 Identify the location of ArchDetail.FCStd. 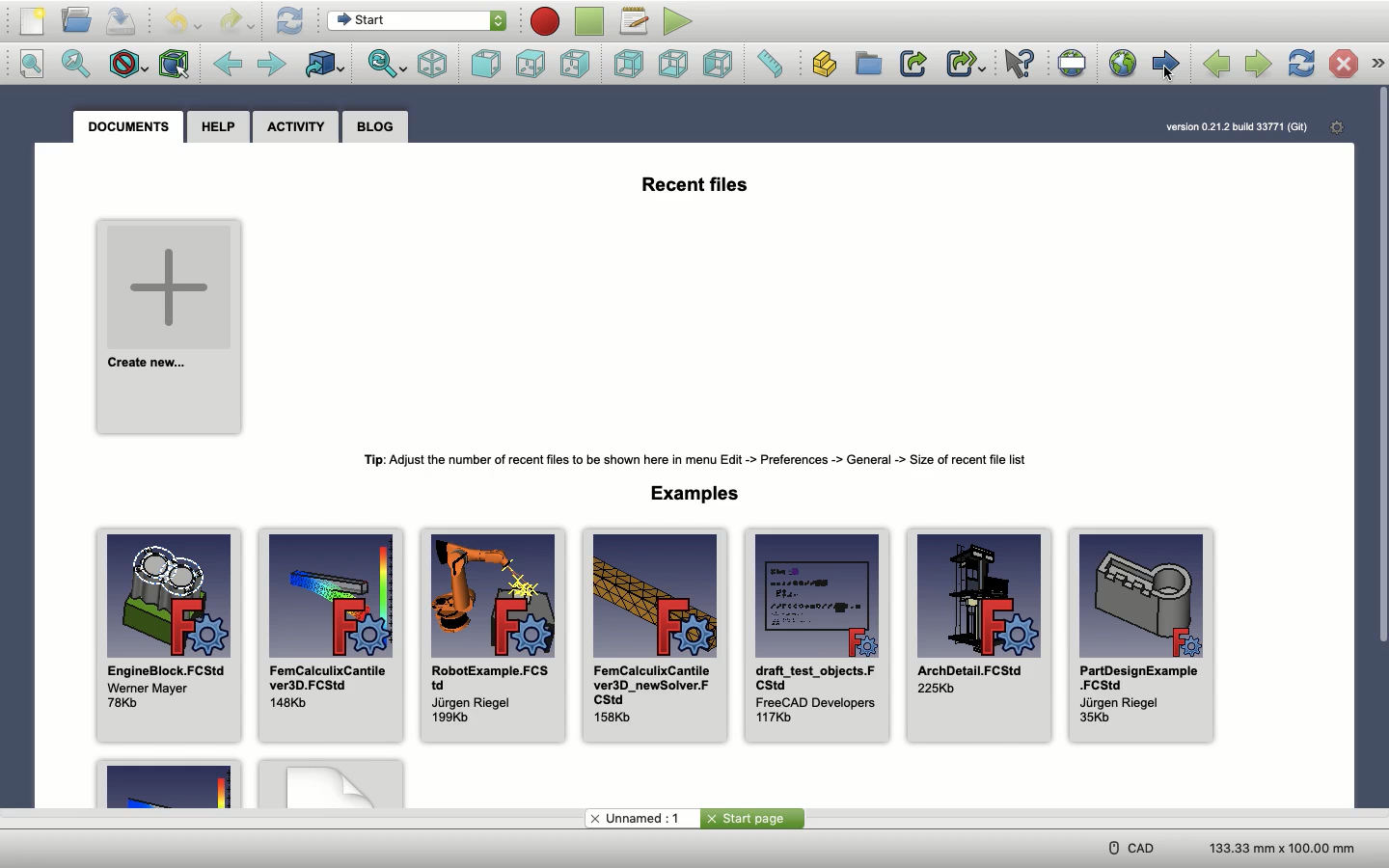
(981, 636).